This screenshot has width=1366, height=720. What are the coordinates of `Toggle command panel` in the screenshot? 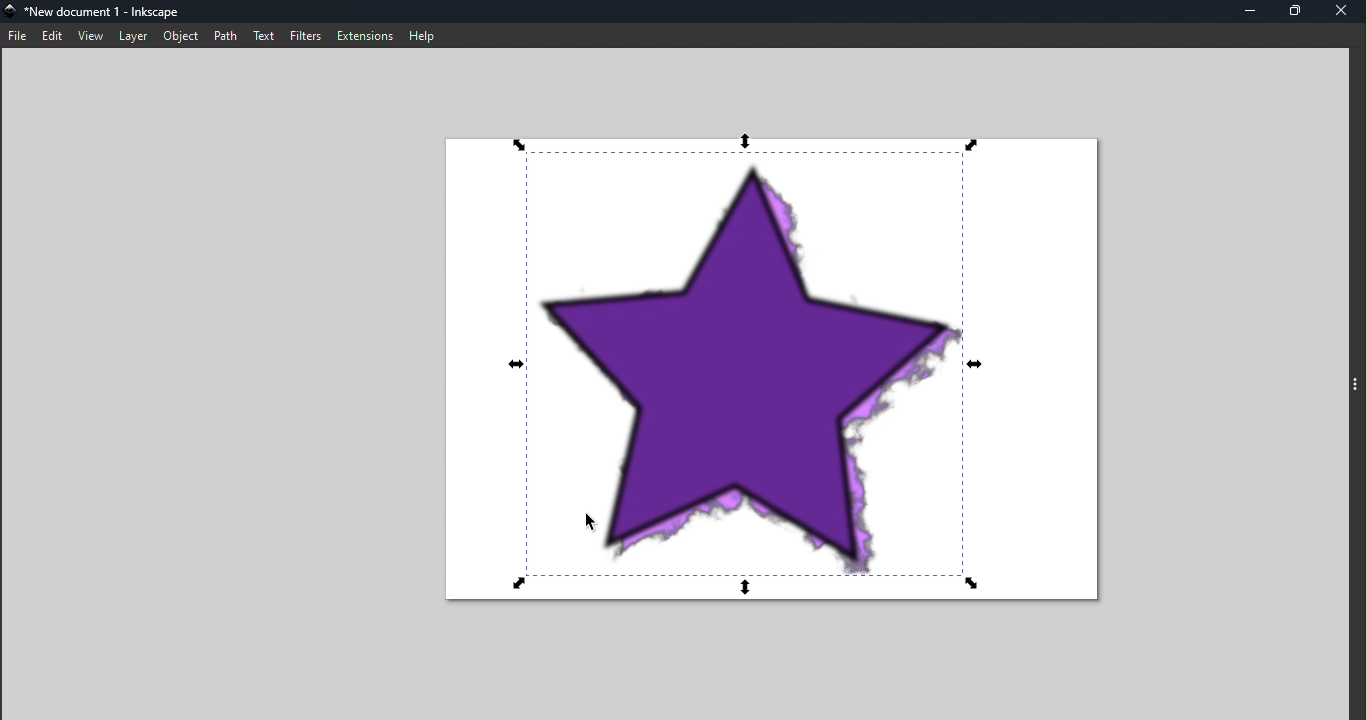 It's located at (1353, 384).